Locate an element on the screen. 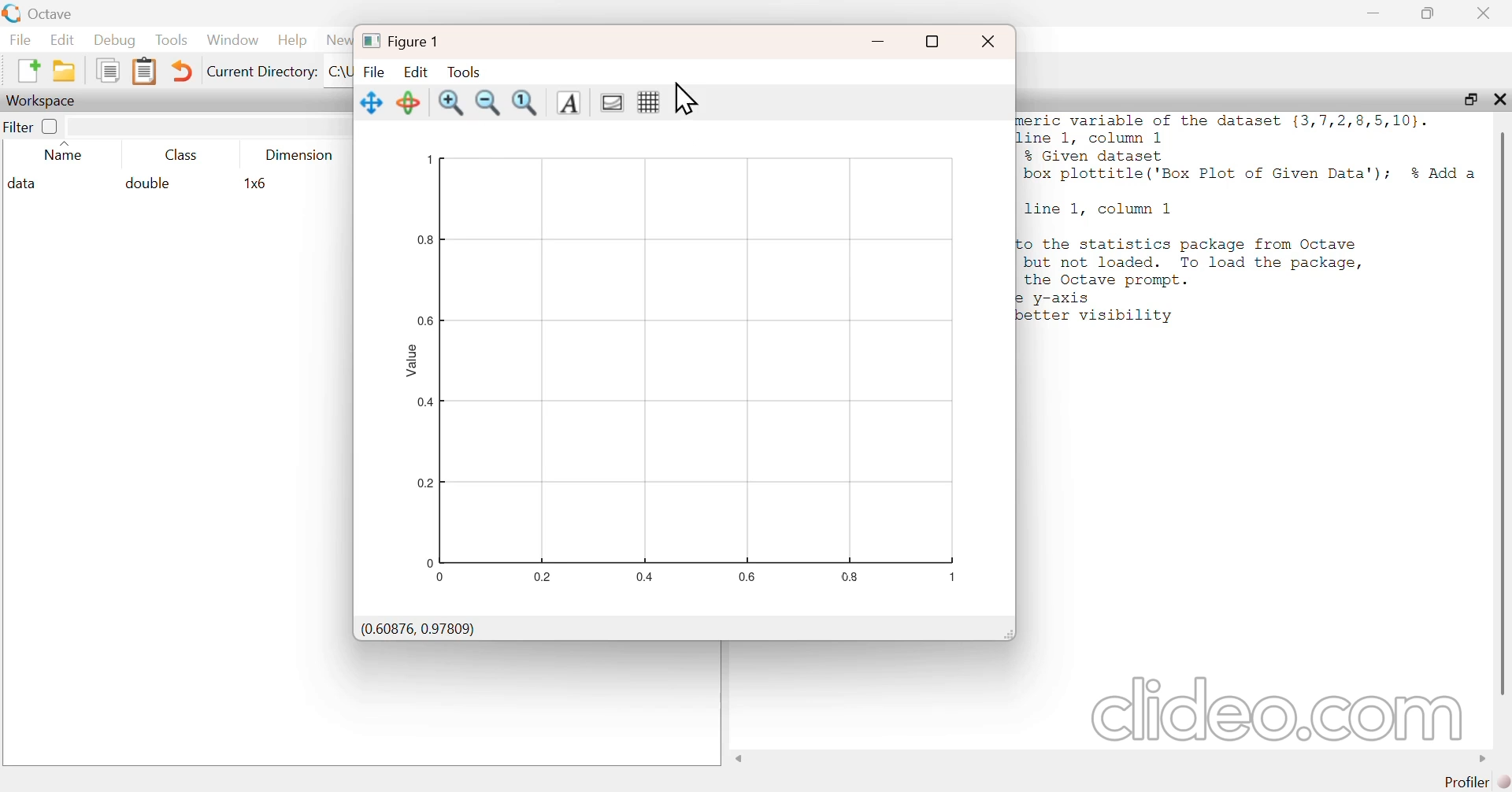 This screenshot has height=792, width=1512. filter input field is located at coordinates (213, 125).